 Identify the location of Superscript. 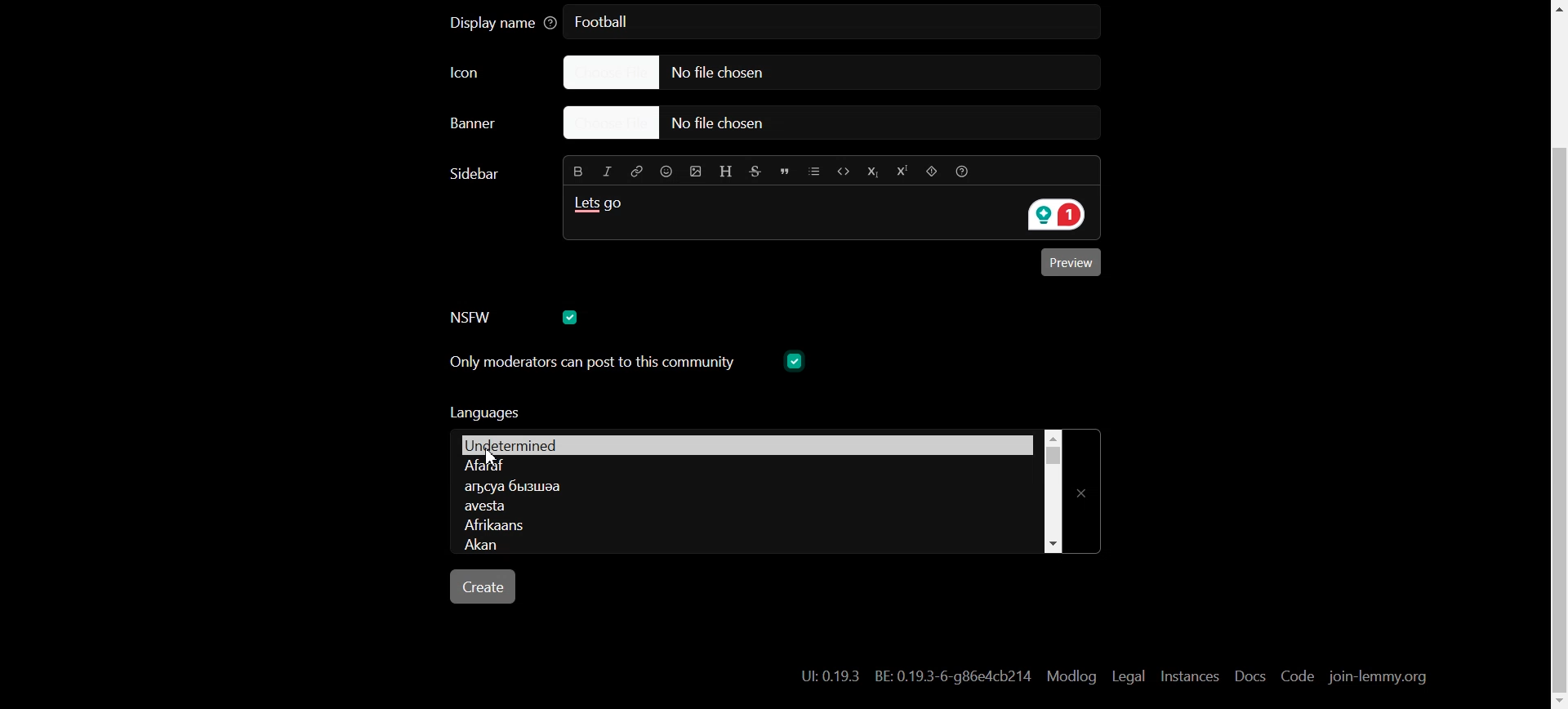
(901, 172).